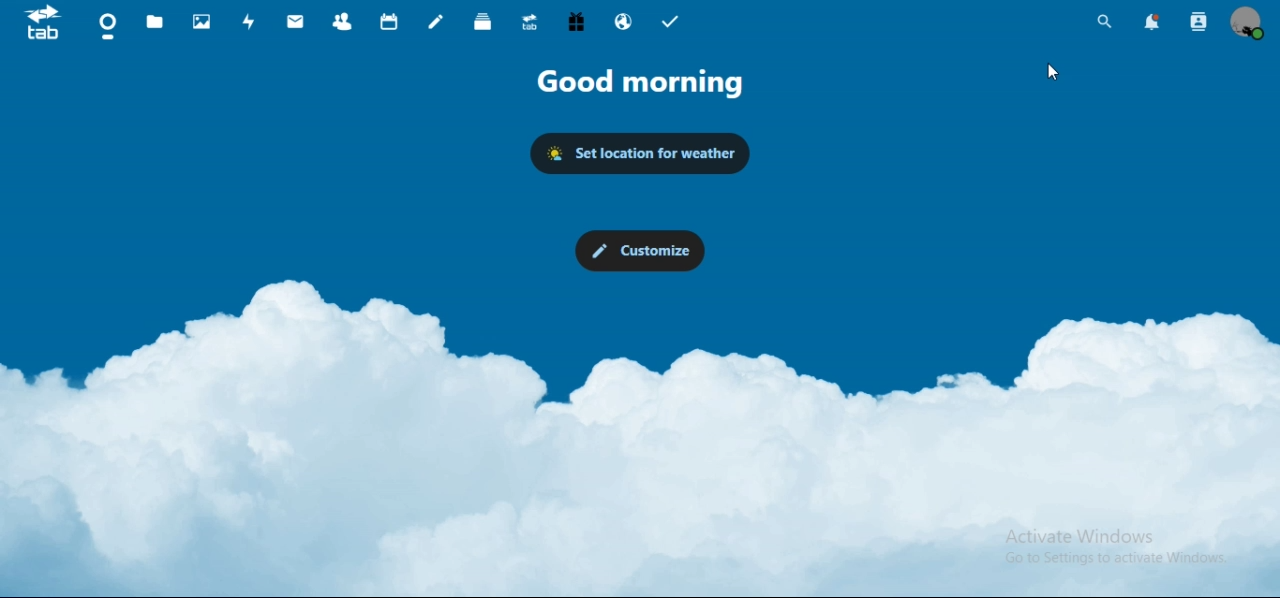  I want to click on cursor, so click(1052, 71).